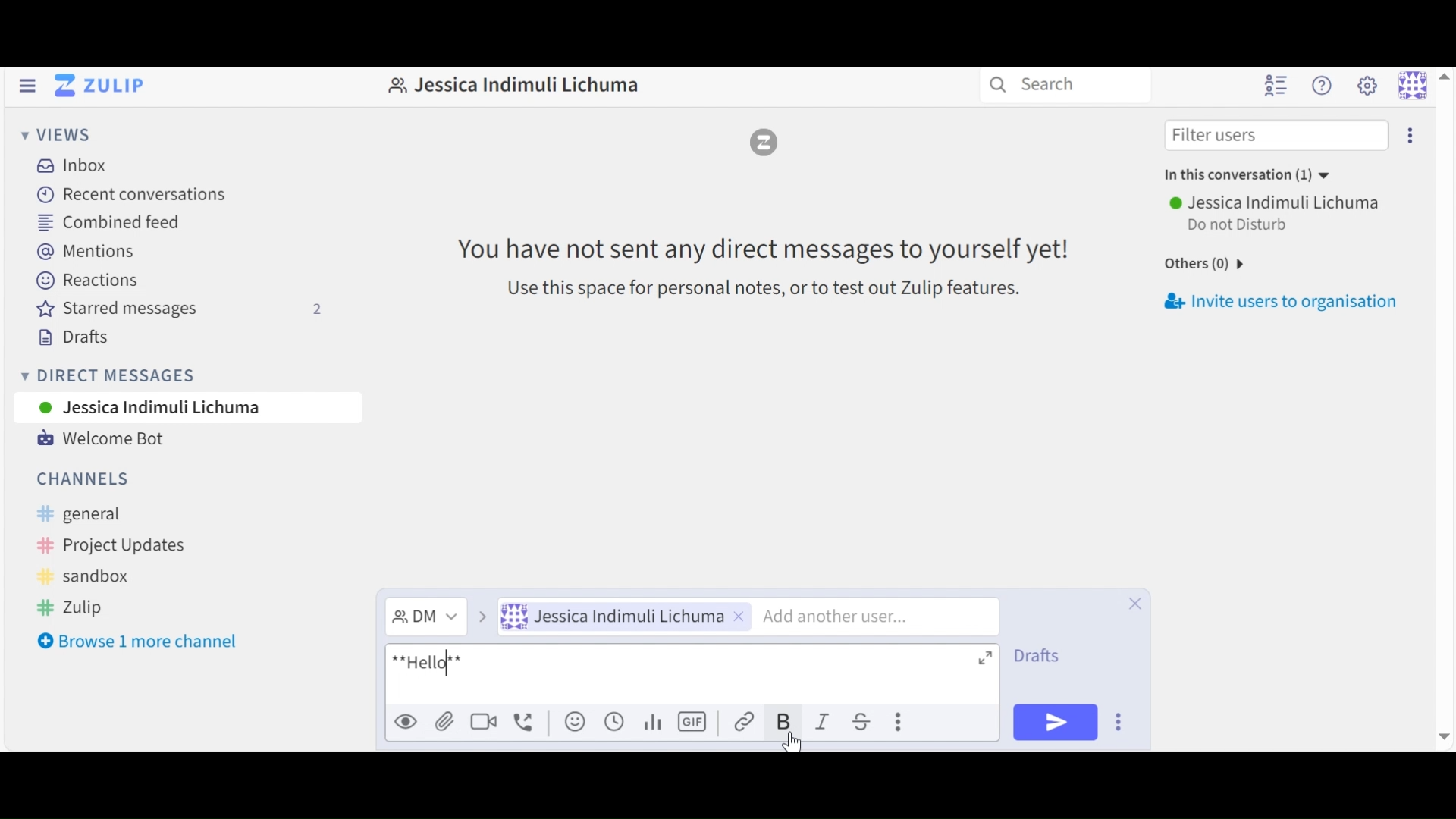 Image resolution: width=1456 pixels, height=819 pixels. Describe the element at coordinates (1132, 601) in the screenshot. I see `Close` at that location.